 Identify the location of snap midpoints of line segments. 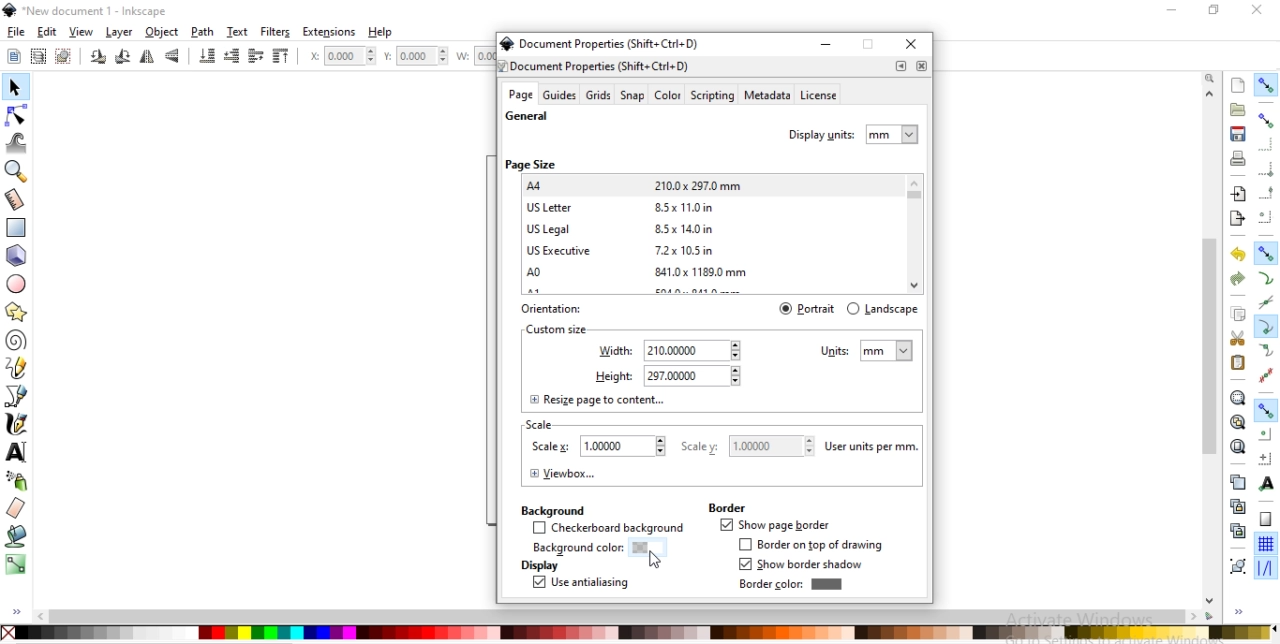
(1264, 375).